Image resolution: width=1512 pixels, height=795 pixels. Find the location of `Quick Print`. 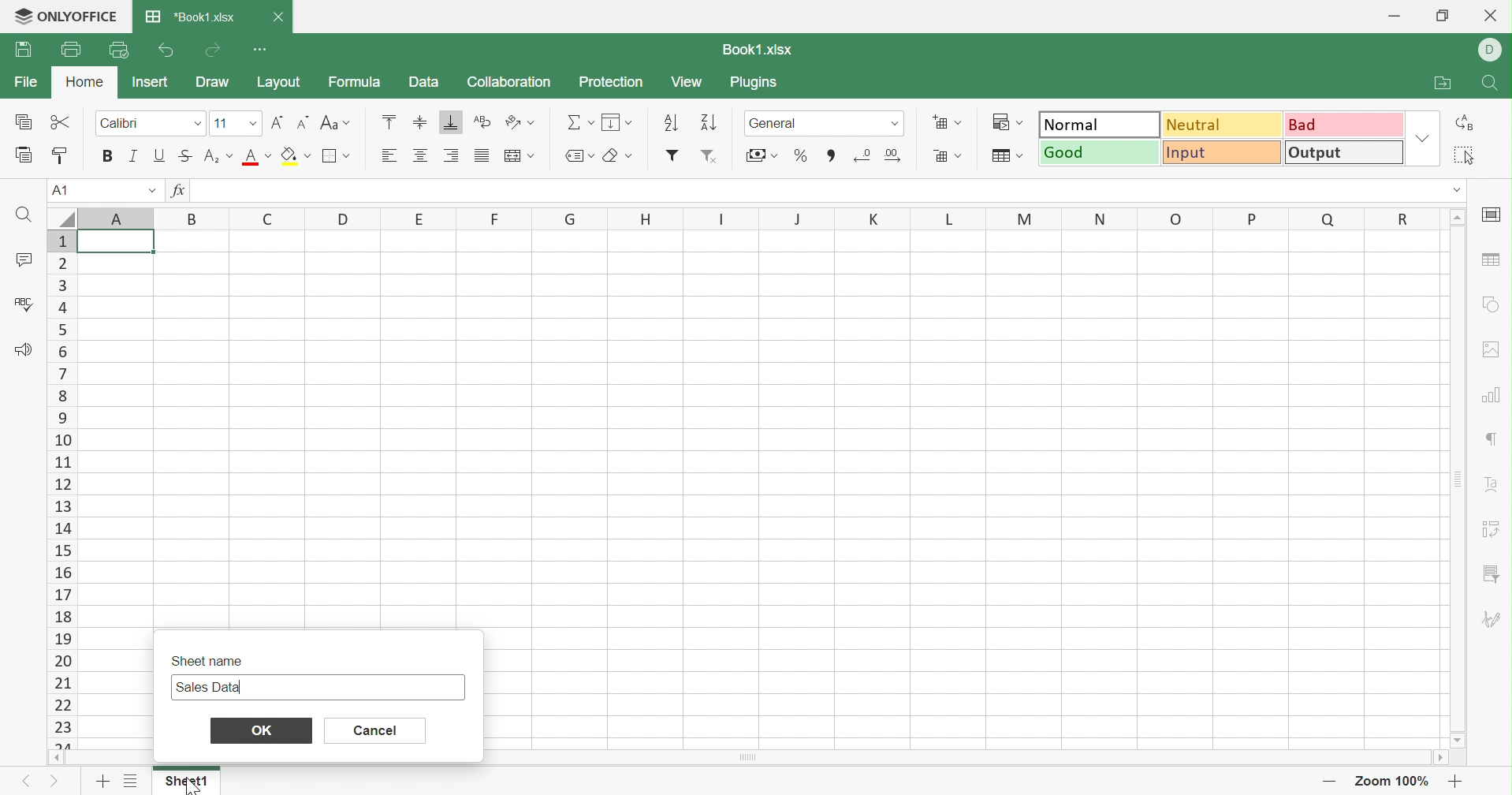

Quick Print is located at coordinates (118, 52).